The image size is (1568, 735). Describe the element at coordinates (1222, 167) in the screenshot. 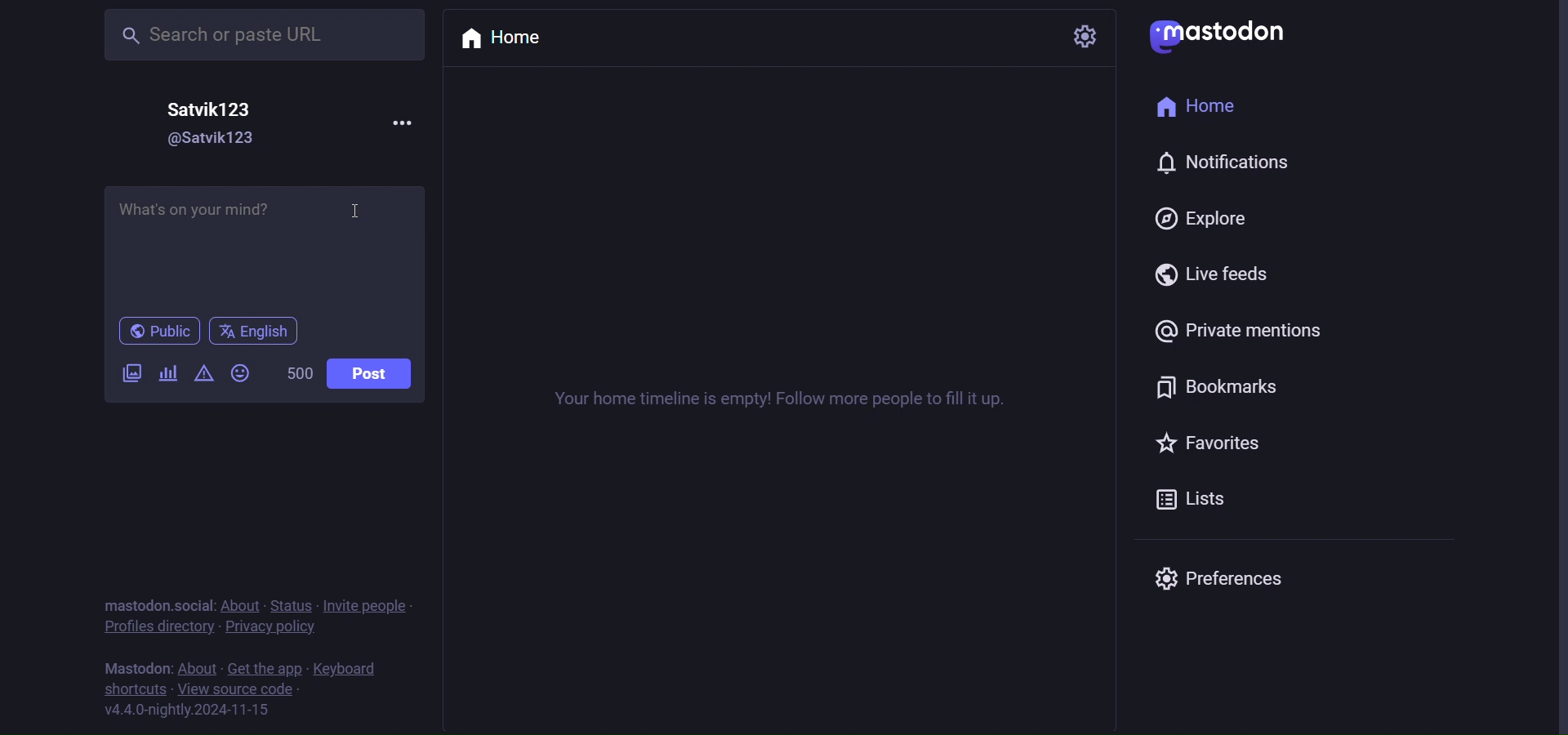

I see `notification` at that location.